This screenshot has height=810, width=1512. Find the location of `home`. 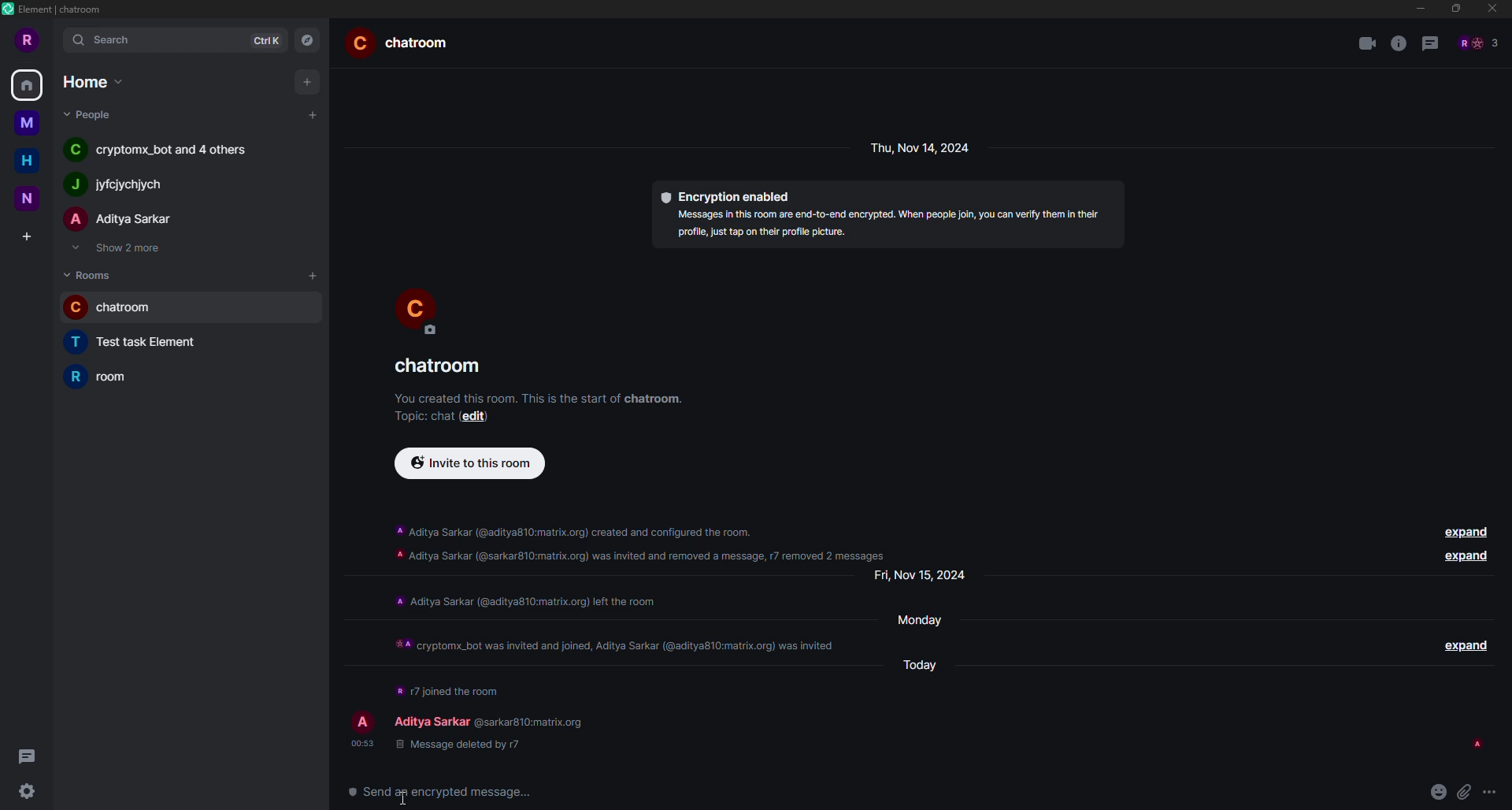

home is located at coordinates (90, 80).